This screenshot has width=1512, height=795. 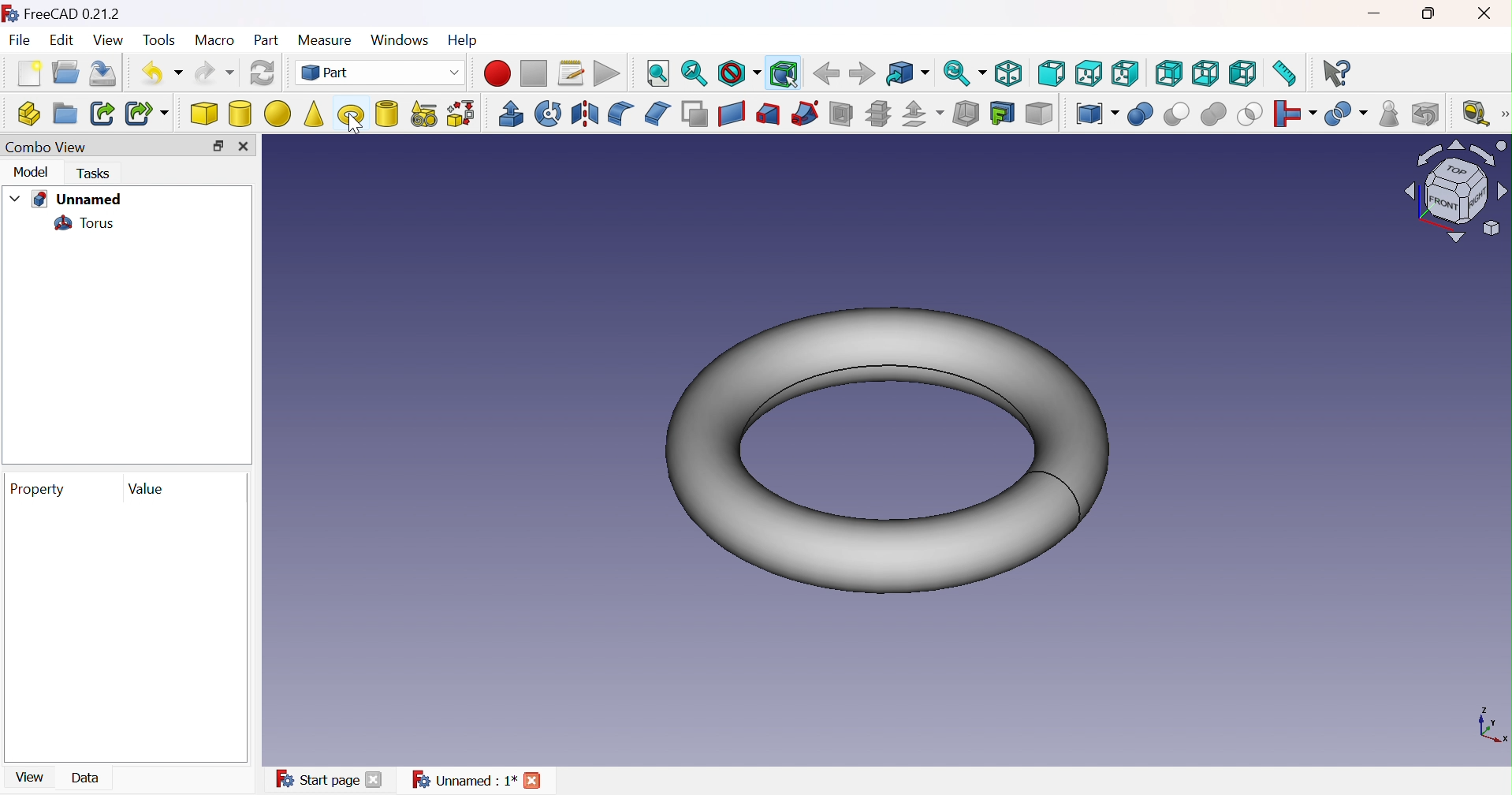 What do you see at coordinates (482, 779) in the screenshot?
I see `Unnamed : 1*` at bounding box center [482, 779].